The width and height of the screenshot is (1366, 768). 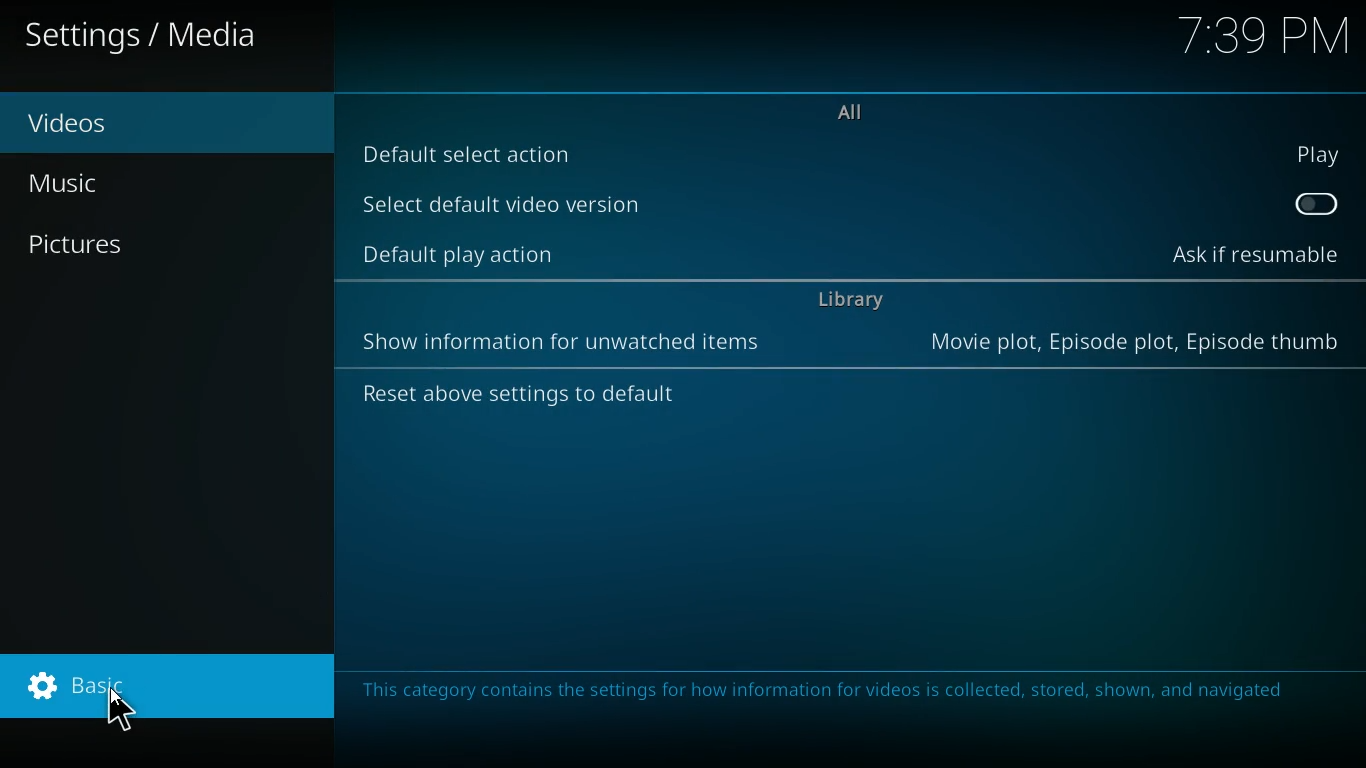 What do you see at coordinates (835, 686) in the screenshot?
I see `message` at bounding box center [835, 686].